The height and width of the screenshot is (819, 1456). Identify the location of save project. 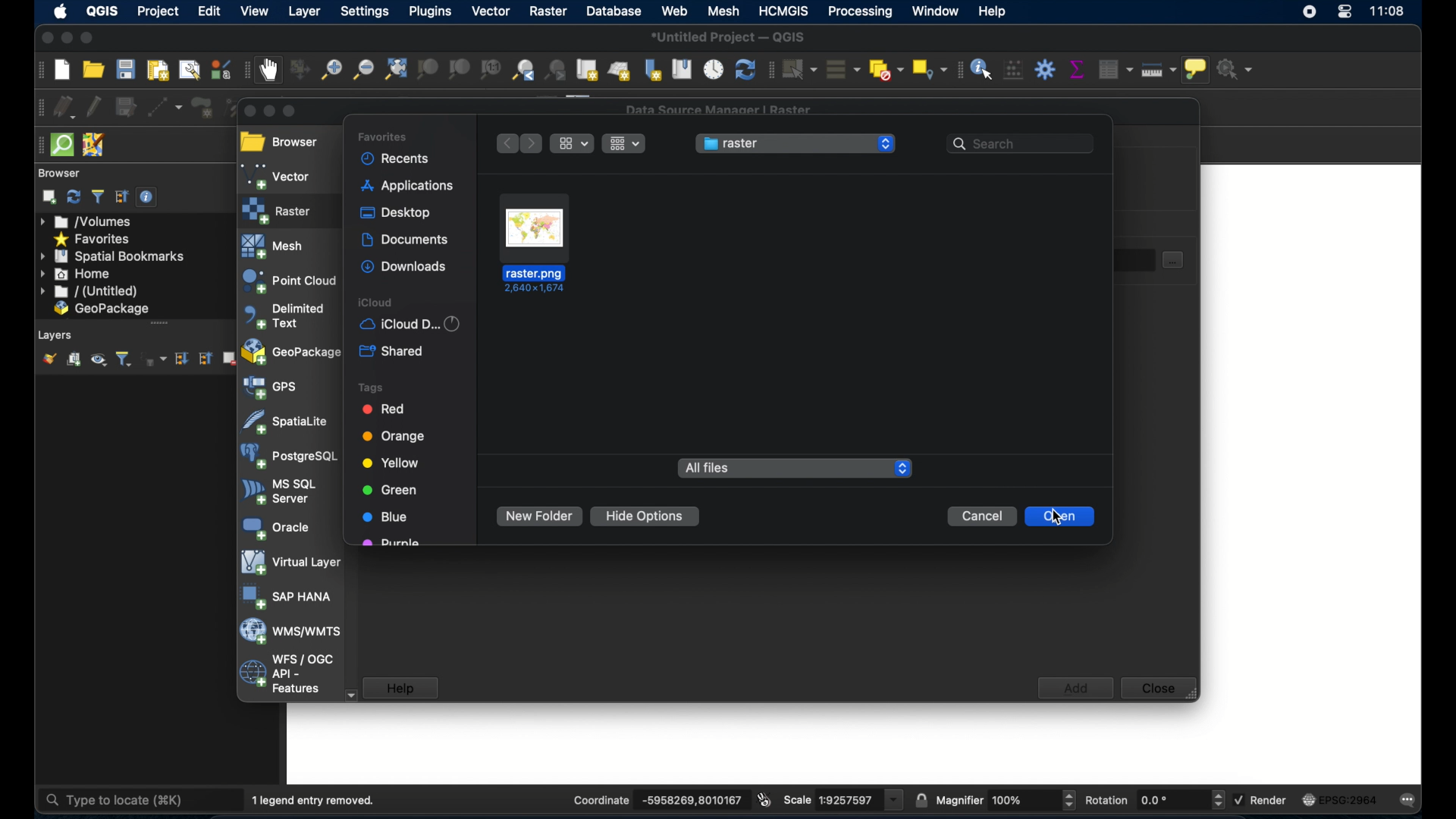
(126, 70).